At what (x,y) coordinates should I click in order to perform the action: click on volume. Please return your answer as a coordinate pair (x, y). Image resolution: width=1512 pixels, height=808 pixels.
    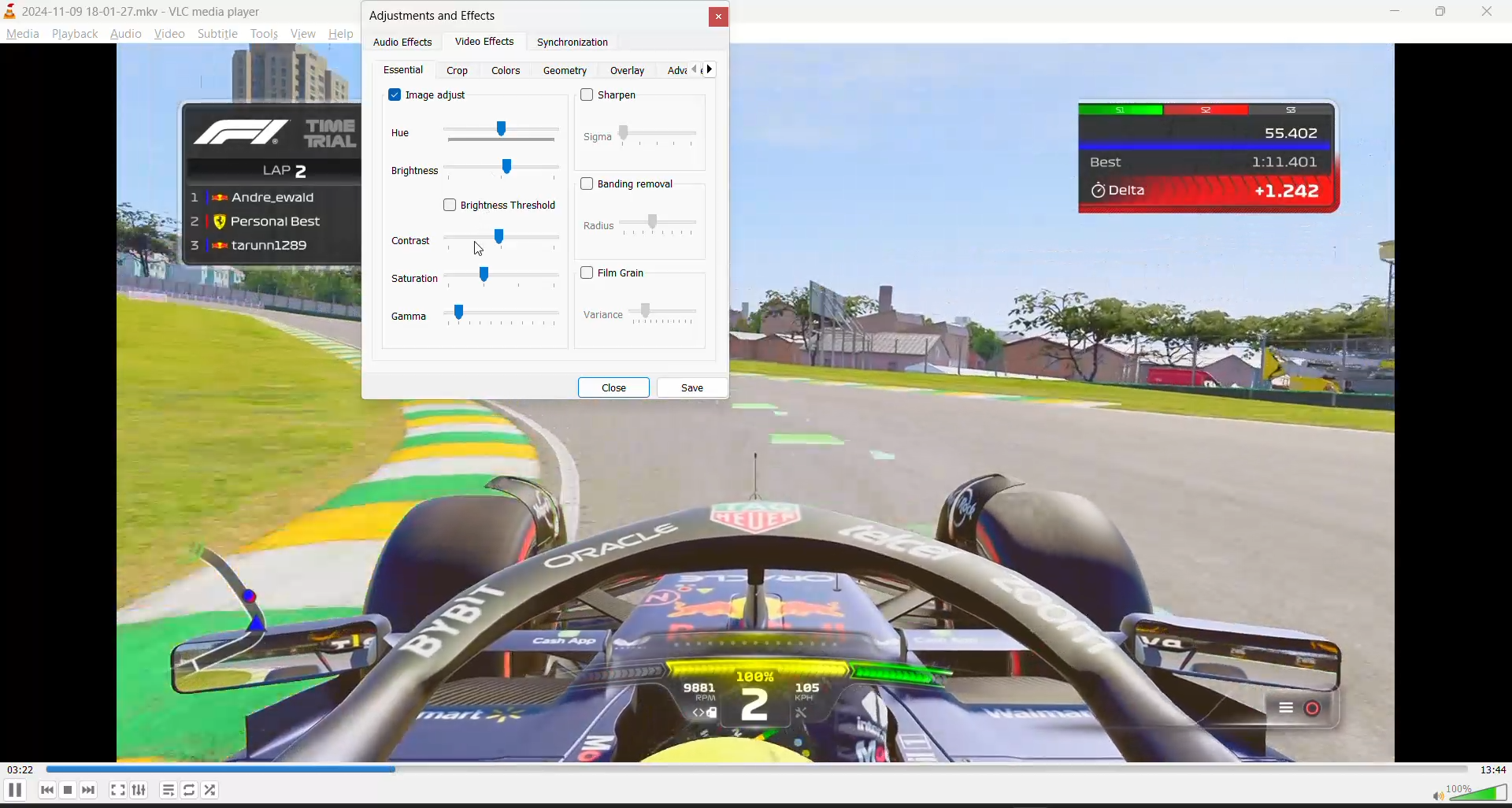
    Looking at the image, I should click on (1469, 793).